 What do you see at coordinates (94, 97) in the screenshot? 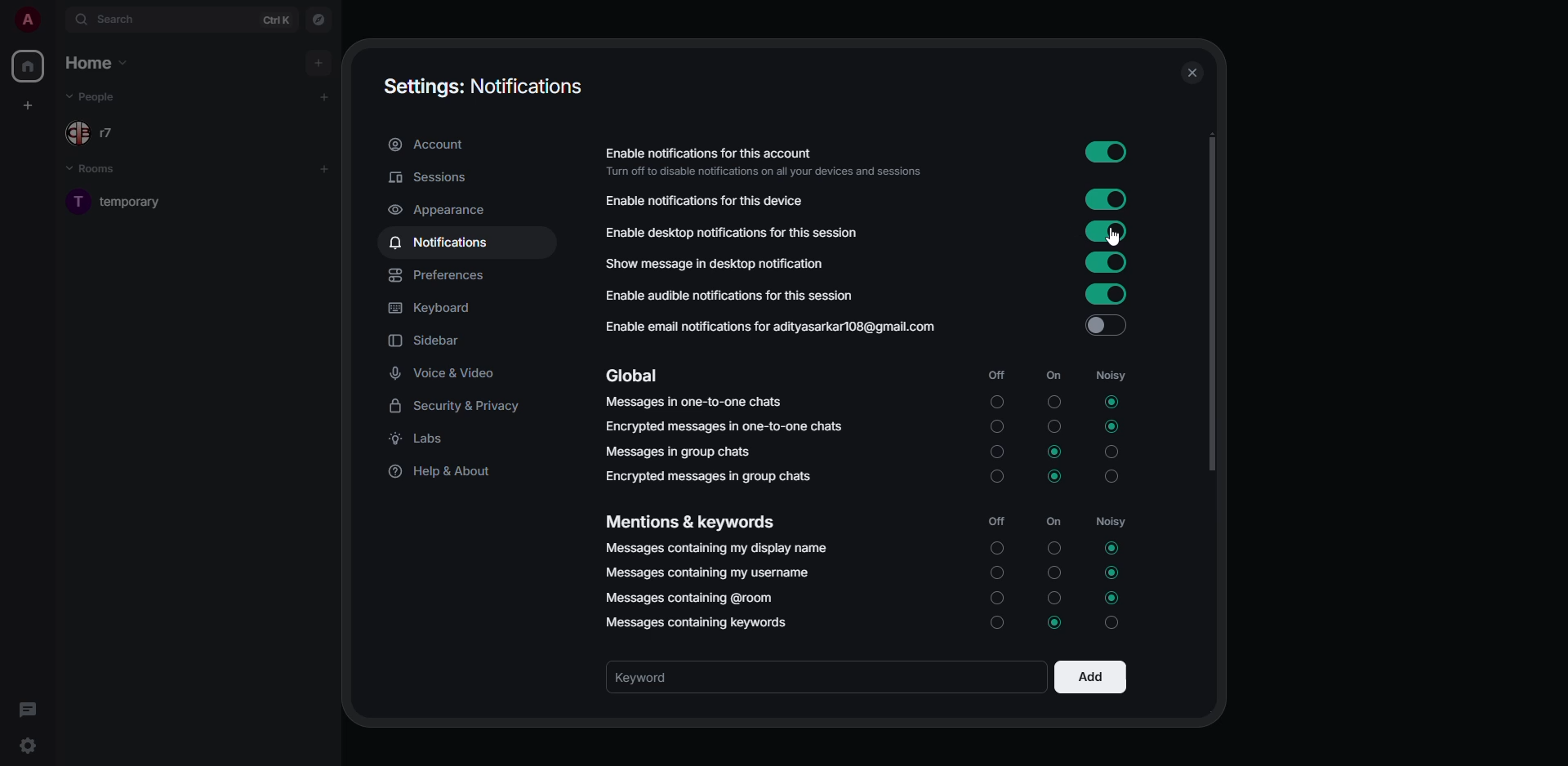
I see `people` at bounding box center [94, 97].